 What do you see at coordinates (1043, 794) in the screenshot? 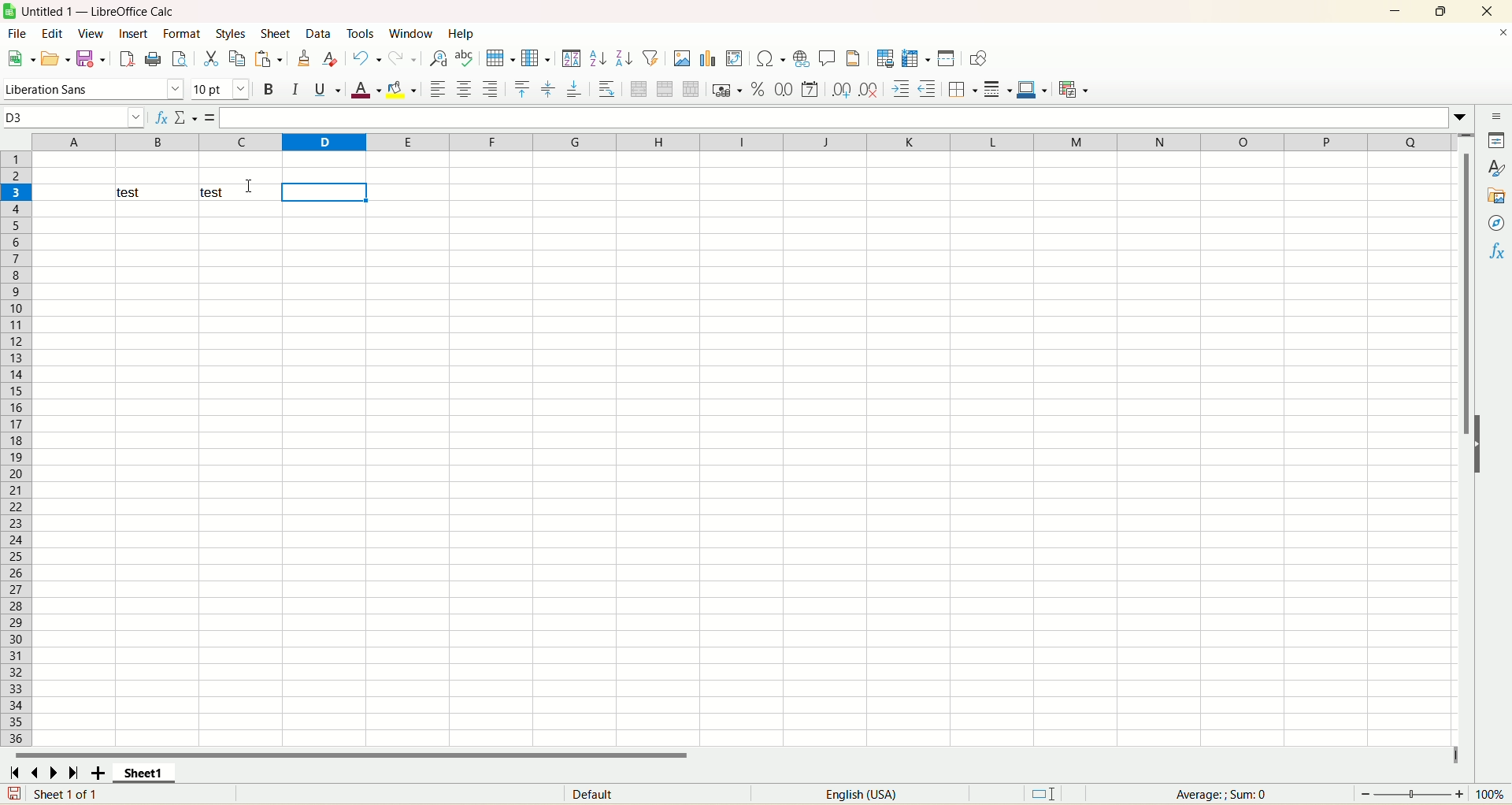
I see `default selection` at bounding box center [1043, 794].